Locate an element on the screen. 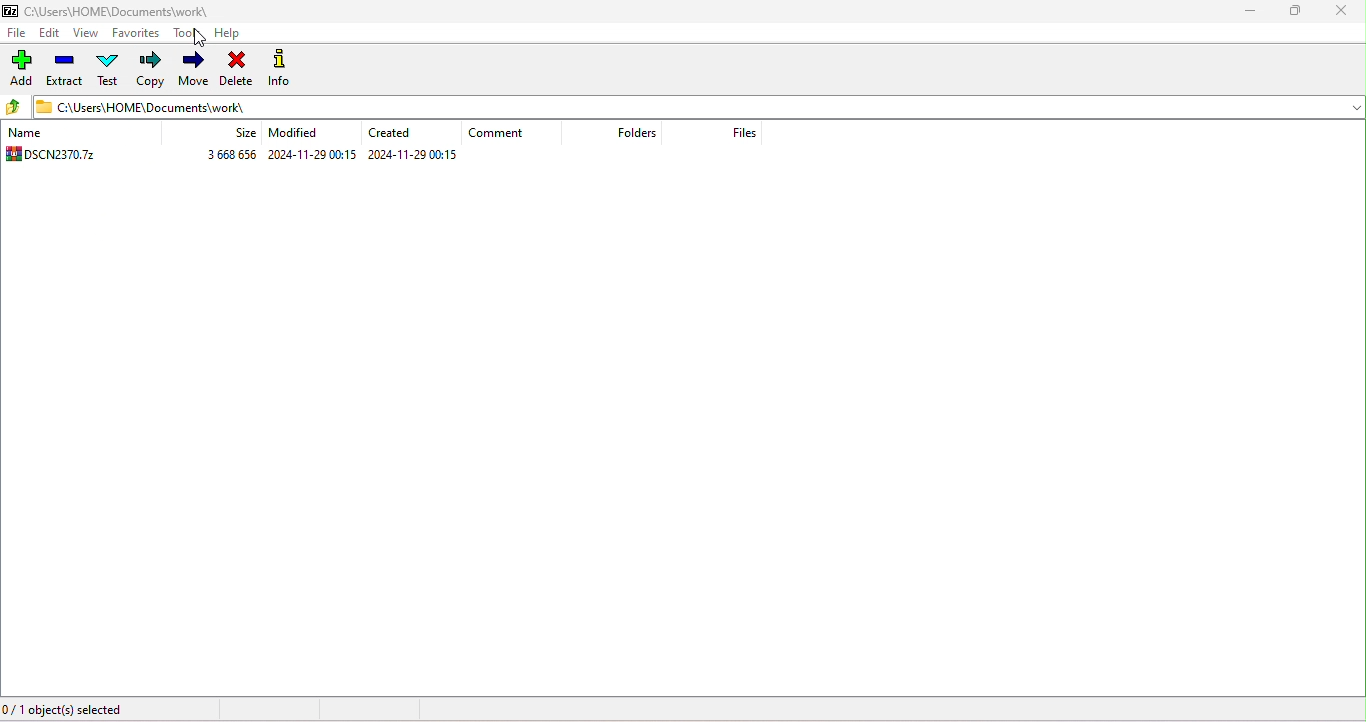 The height and width of the screenshot is (722, 1366). 0/1 object(s) selected is located at coordinates (79, 710).